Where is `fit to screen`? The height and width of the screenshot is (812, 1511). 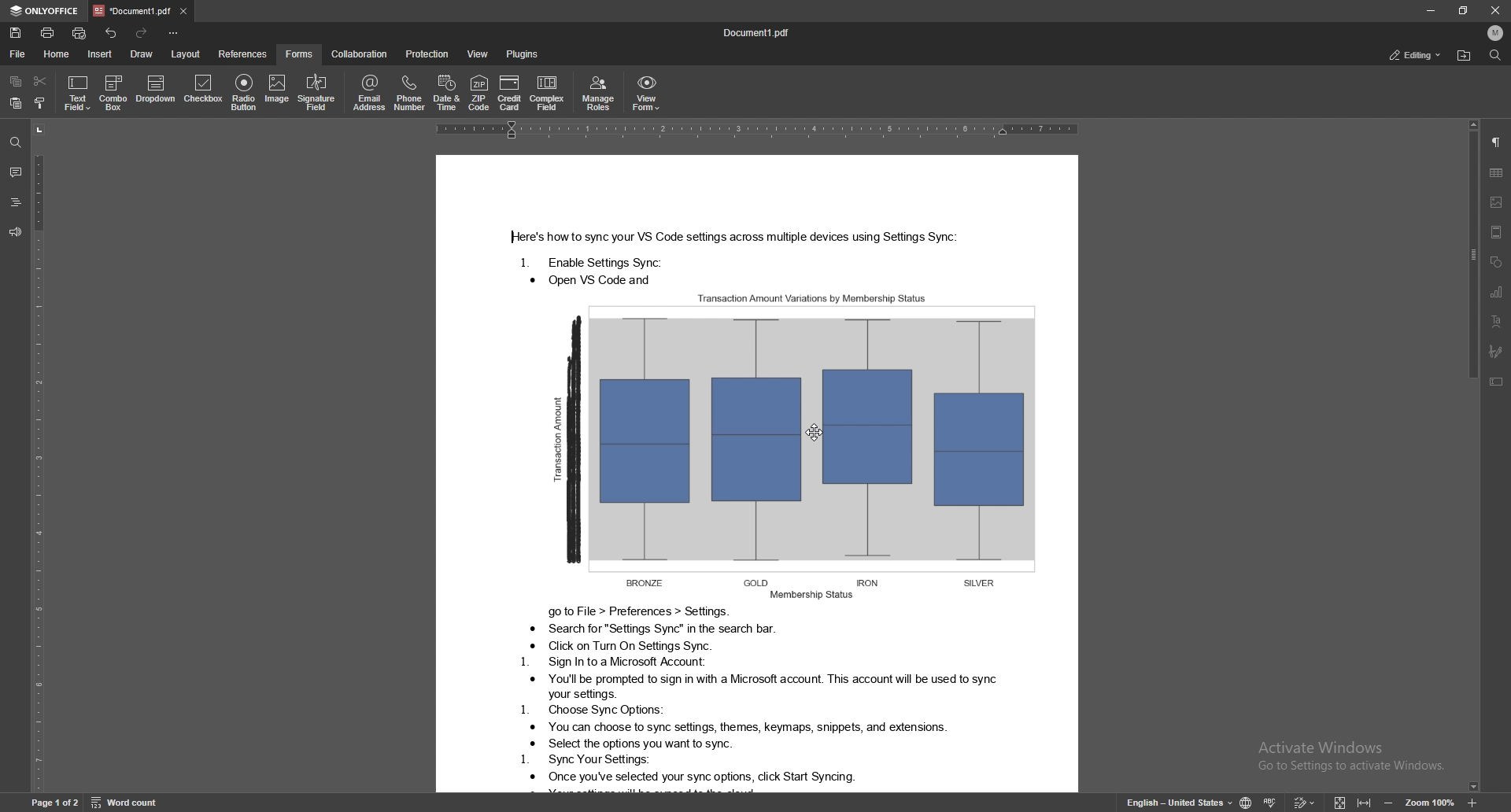 fit to screen is located at coordinates (1339, 803).